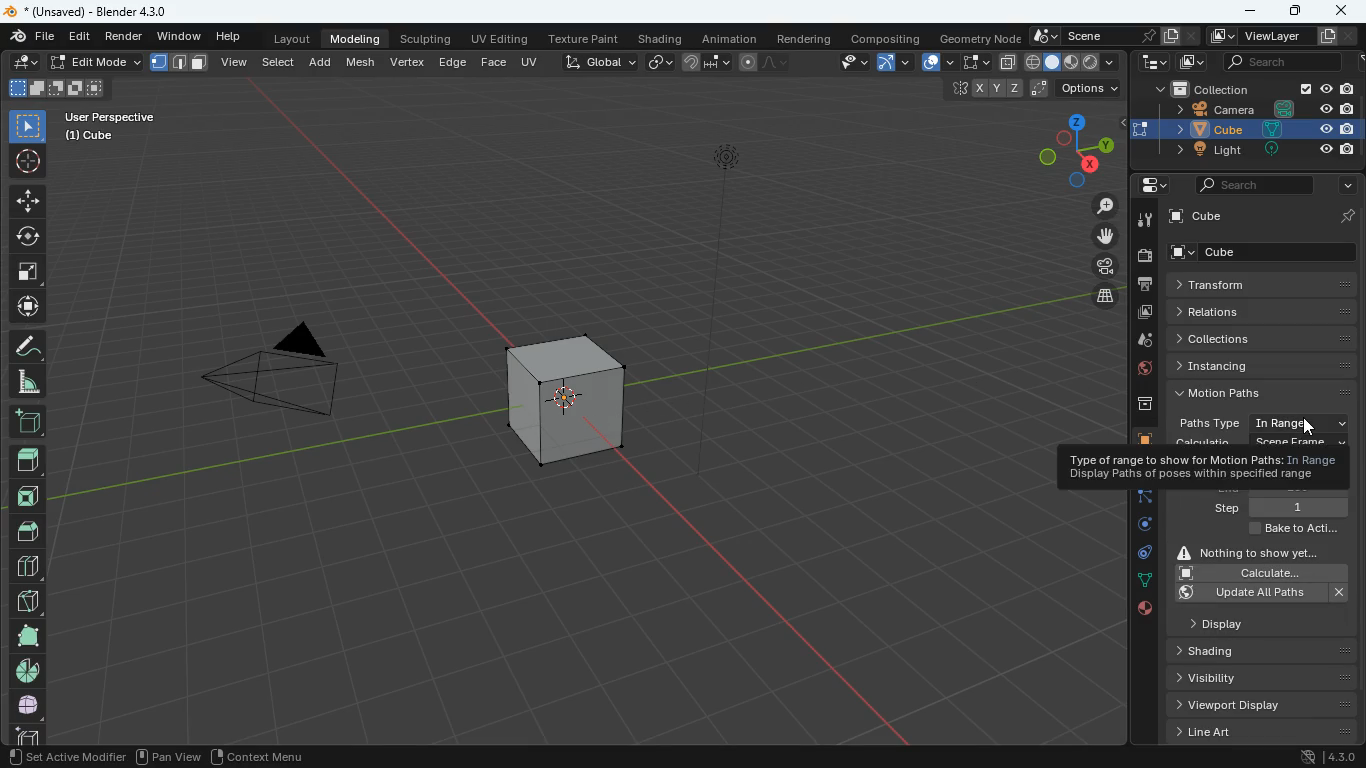 Image resolution: width=1366 pixels, height=768 pixels. What do you see at coordinates (1264, 392) in the screenshot?
I see `paths` at bounding box center [1264, 392].